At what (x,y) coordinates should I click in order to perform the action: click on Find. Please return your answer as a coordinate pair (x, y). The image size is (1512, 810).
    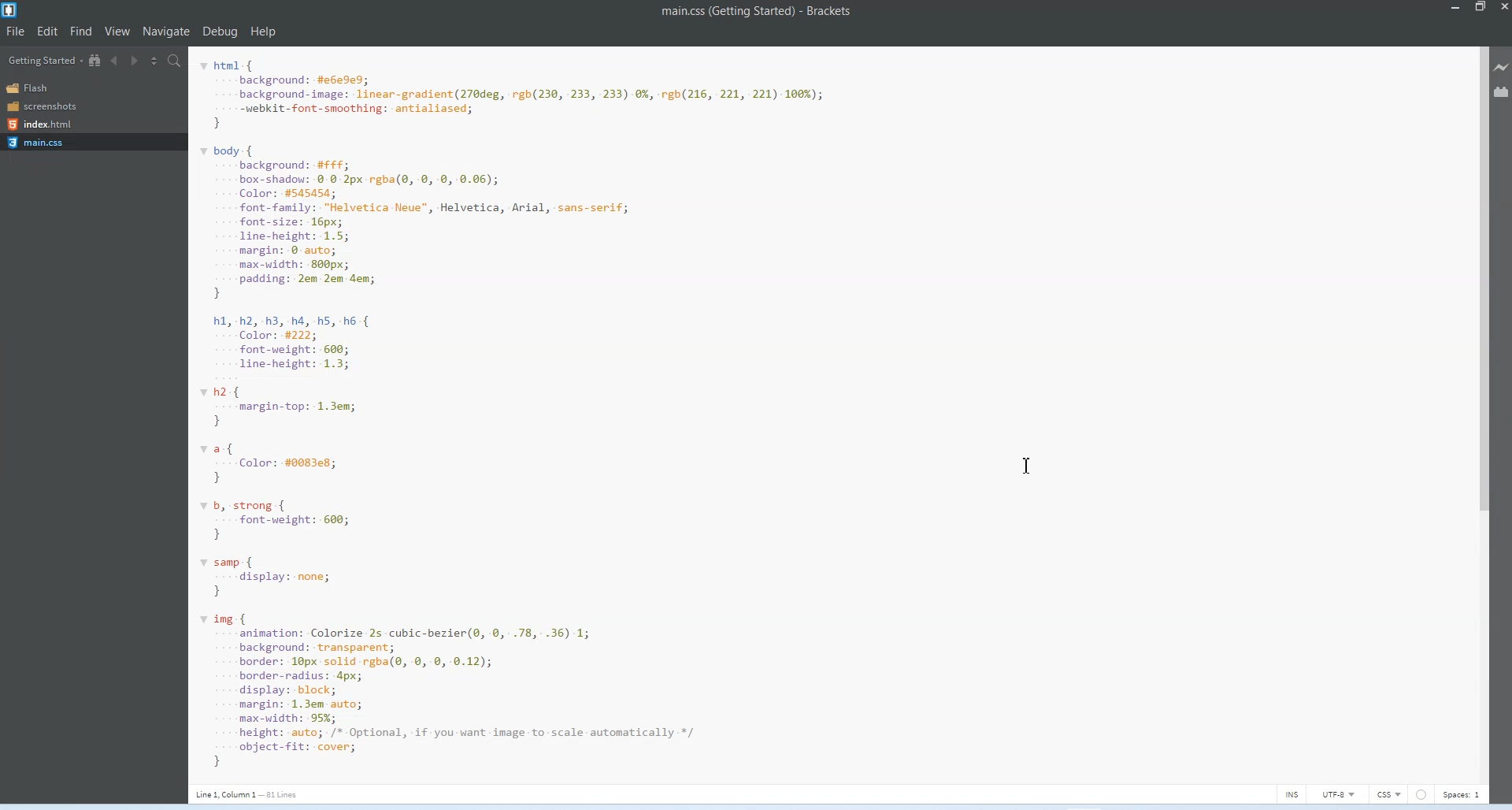
    Looking at the image, I should click on (83, 31).